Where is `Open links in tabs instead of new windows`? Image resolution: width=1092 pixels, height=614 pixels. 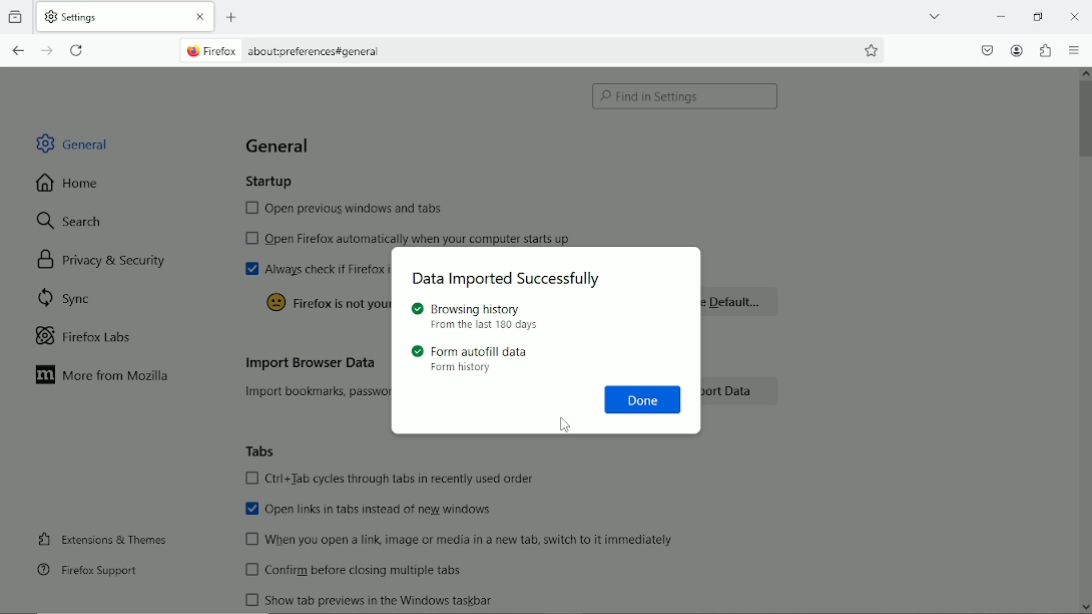 Open links in tabs instead of new windows is located at coordinates (370, 512).